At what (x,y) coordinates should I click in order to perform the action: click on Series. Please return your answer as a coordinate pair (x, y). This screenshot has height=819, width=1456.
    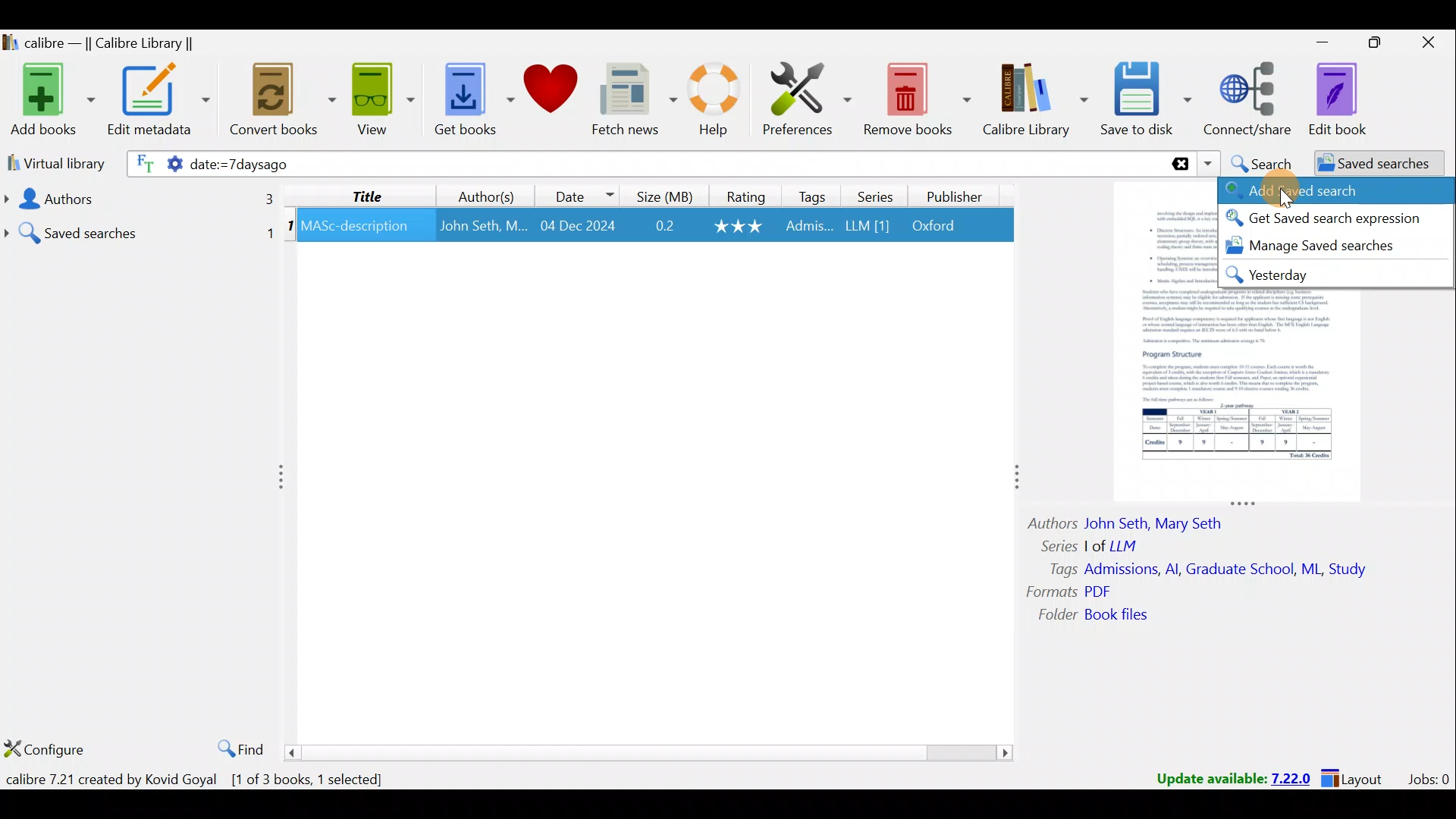
    Looking at the image, I should click on (873, 195).